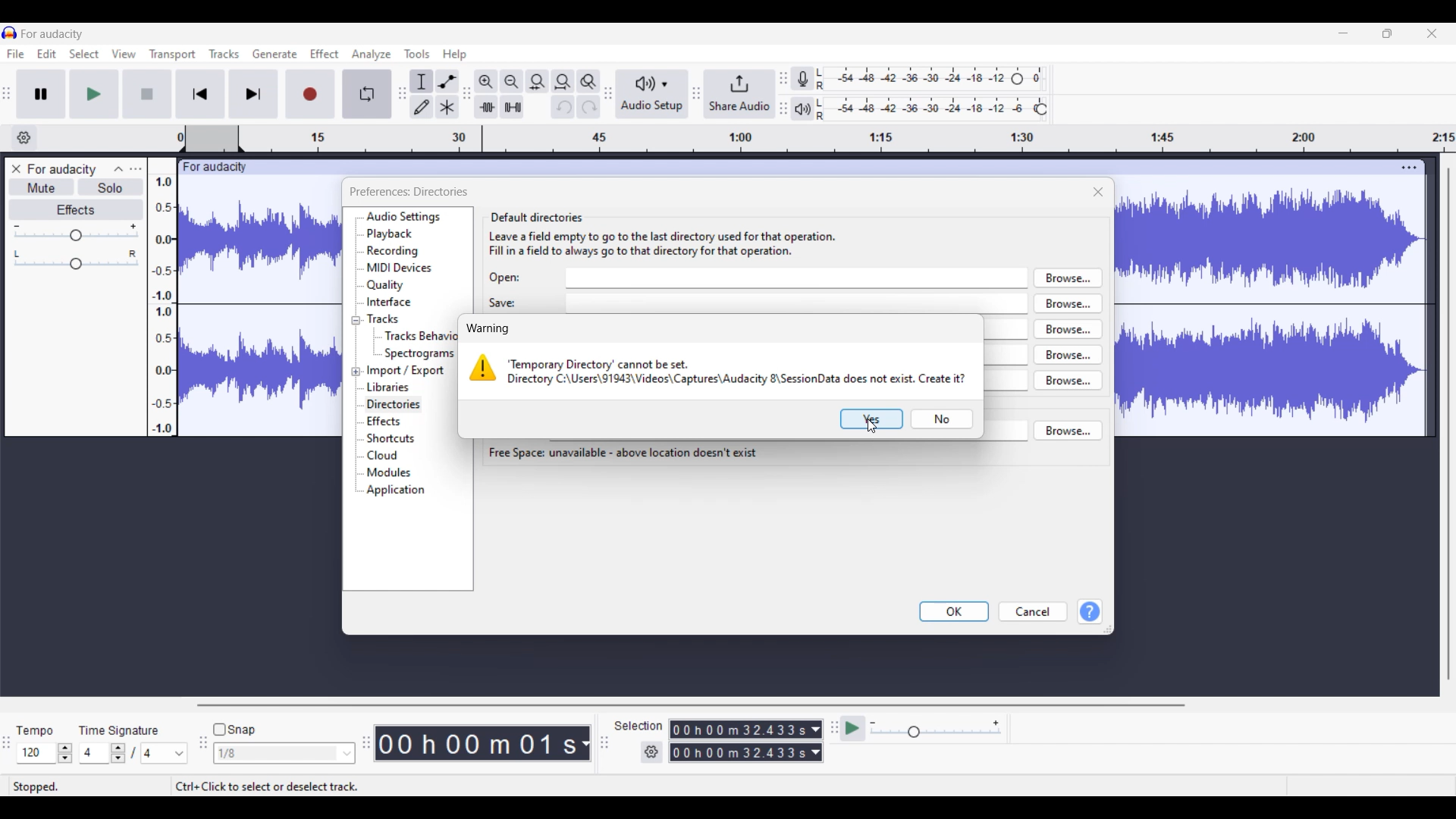 This screenshot has width=1456, height=819. Describe the element at coordinates (563, 82) in the screenshot. I see `Fit project to width` at that location.